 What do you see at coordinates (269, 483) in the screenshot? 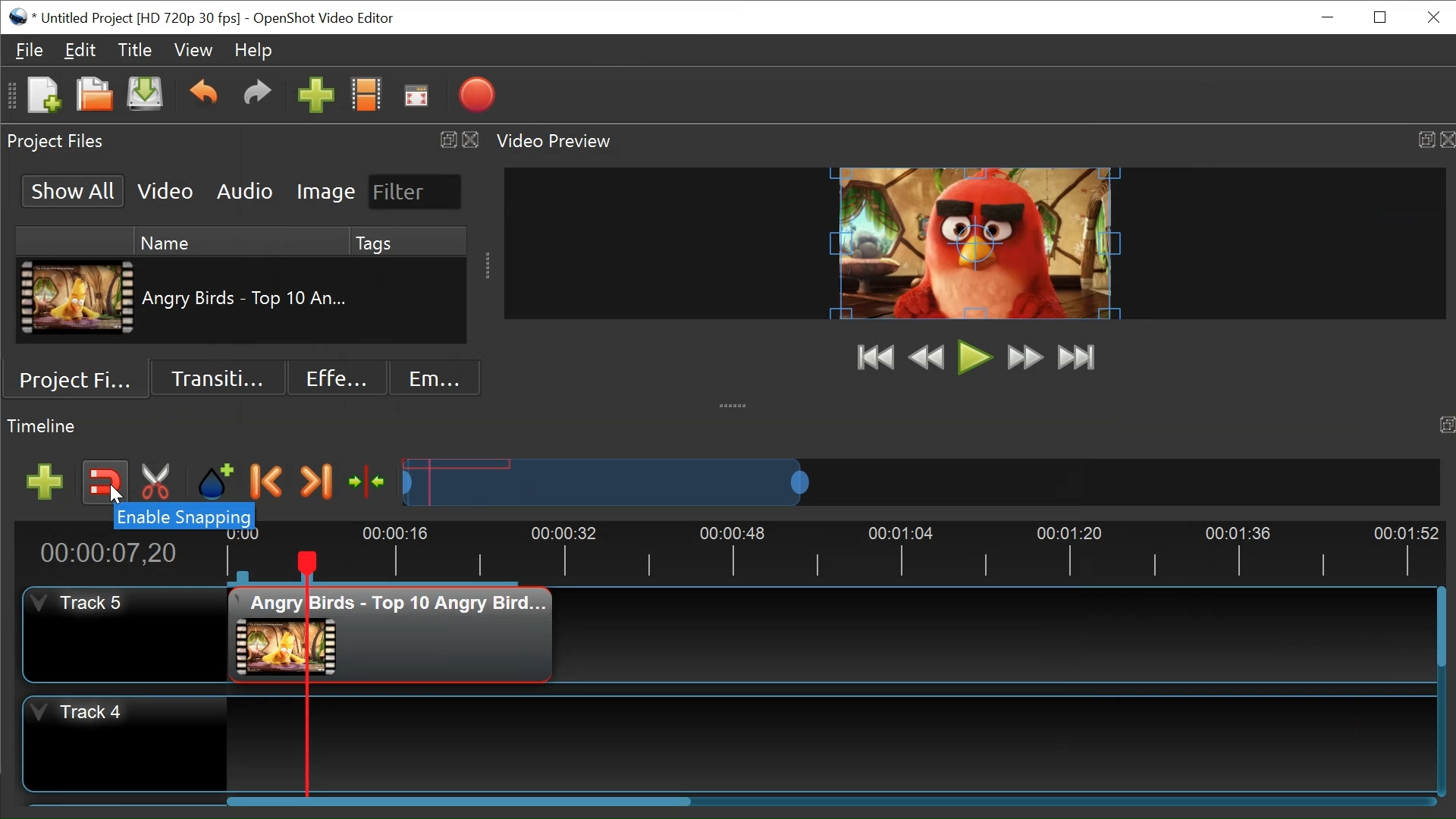
I see `Previous Marker` at bounding box center [269, 483].